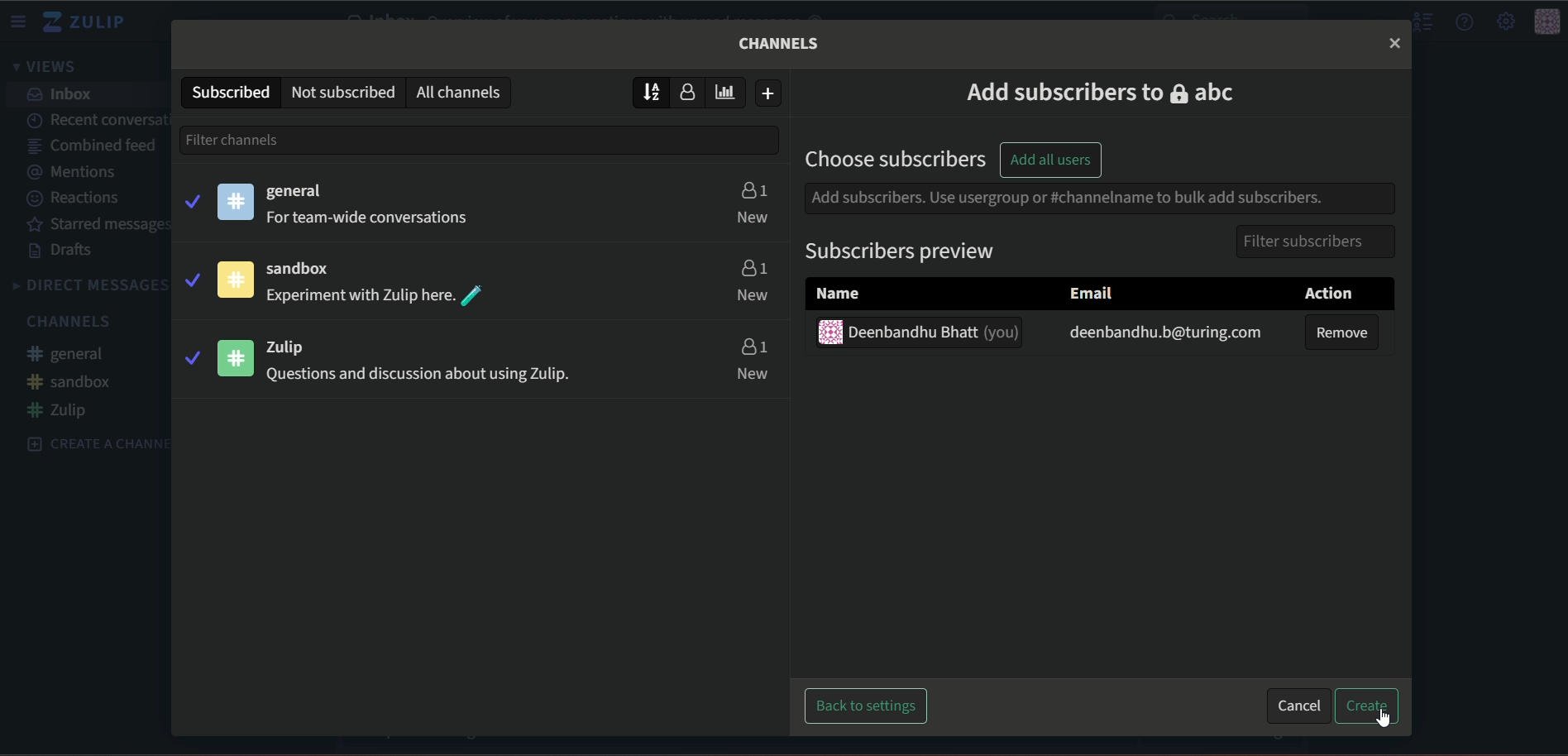  Describe the element at coordinates (1153, 333) in the screenshot. I see `deenbandhu.b@turing.com` at that location.